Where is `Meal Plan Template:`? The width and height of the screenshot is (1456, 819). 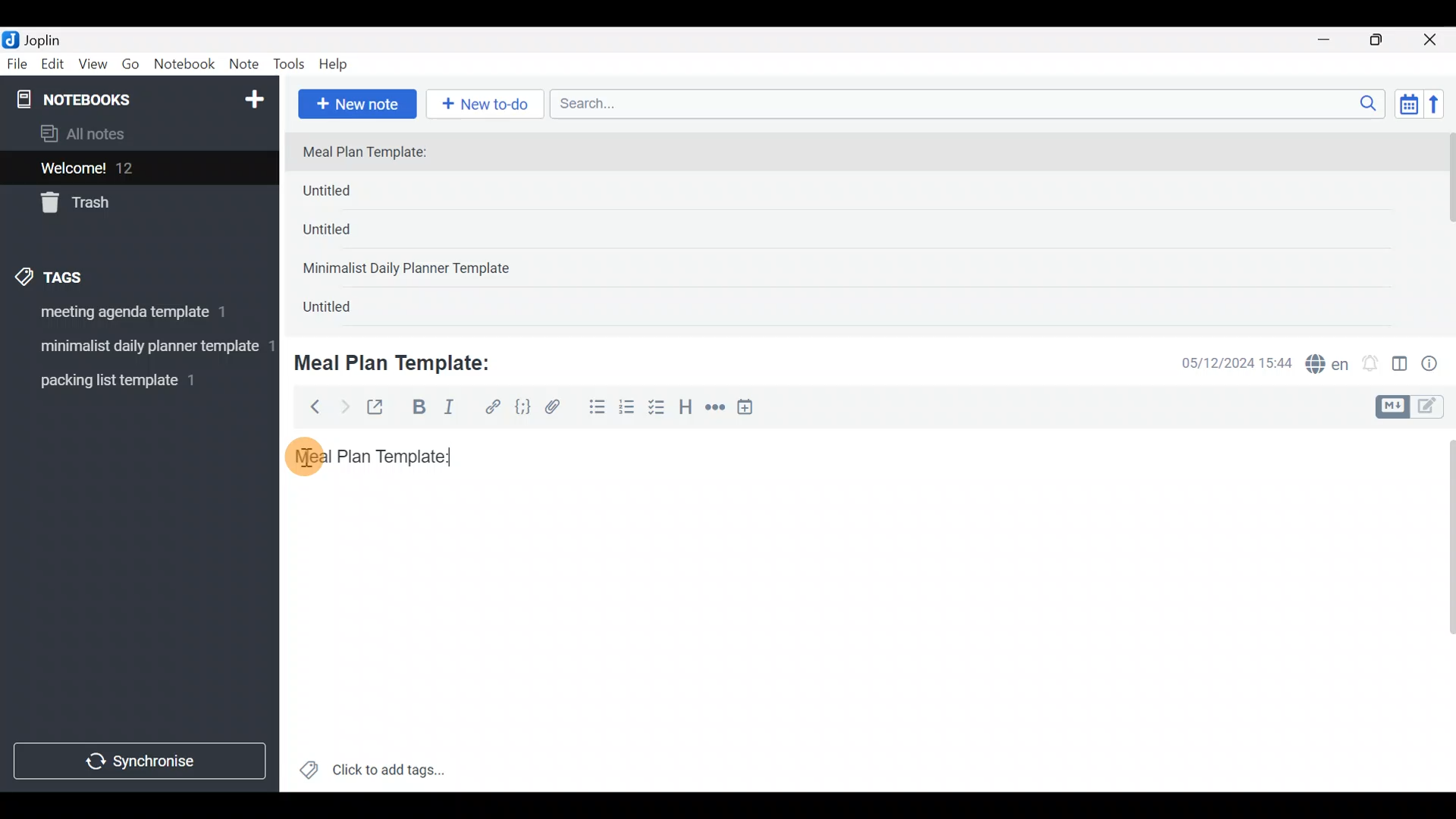
Meal Plan Template: is located at coordinates (402, 361).